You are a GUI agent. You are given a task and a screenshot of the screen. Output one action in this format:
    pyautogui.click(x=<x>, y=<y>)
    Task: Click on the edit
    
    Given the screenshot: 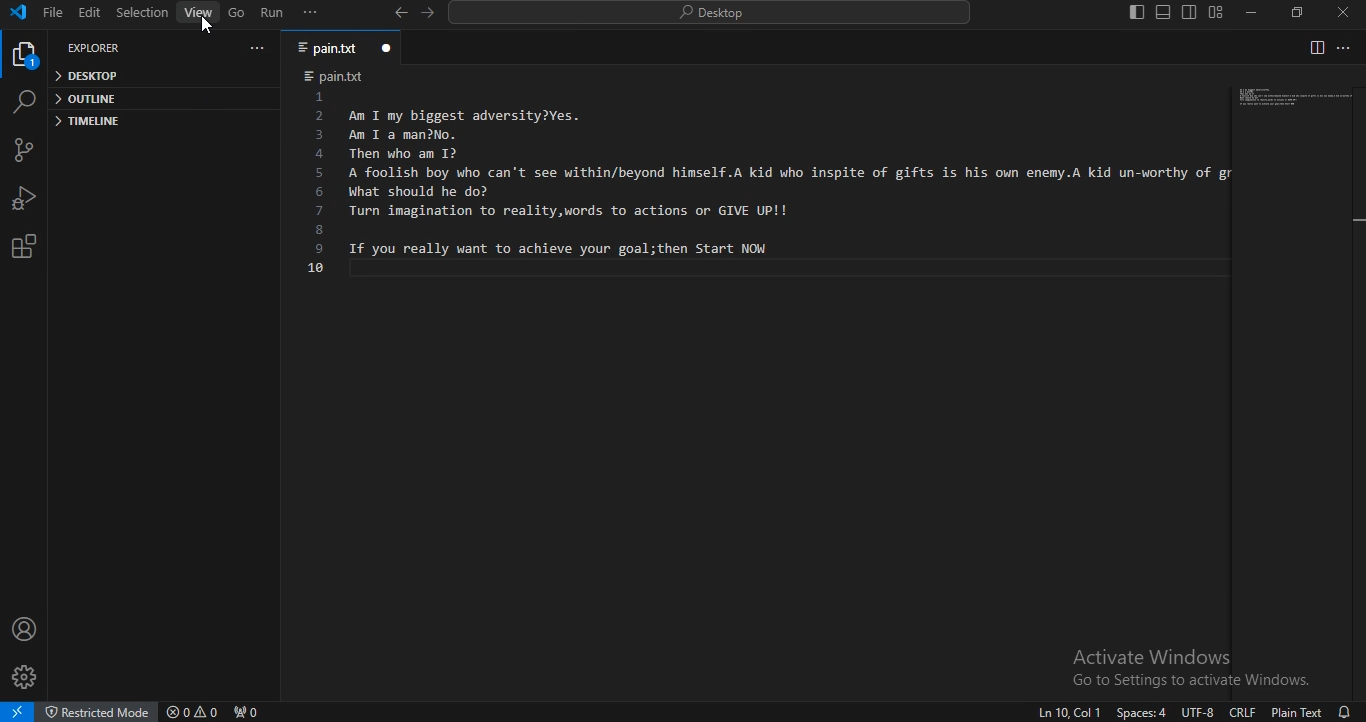 What is the action you would take?
    pyautogui.click(x=89, y=14)
    